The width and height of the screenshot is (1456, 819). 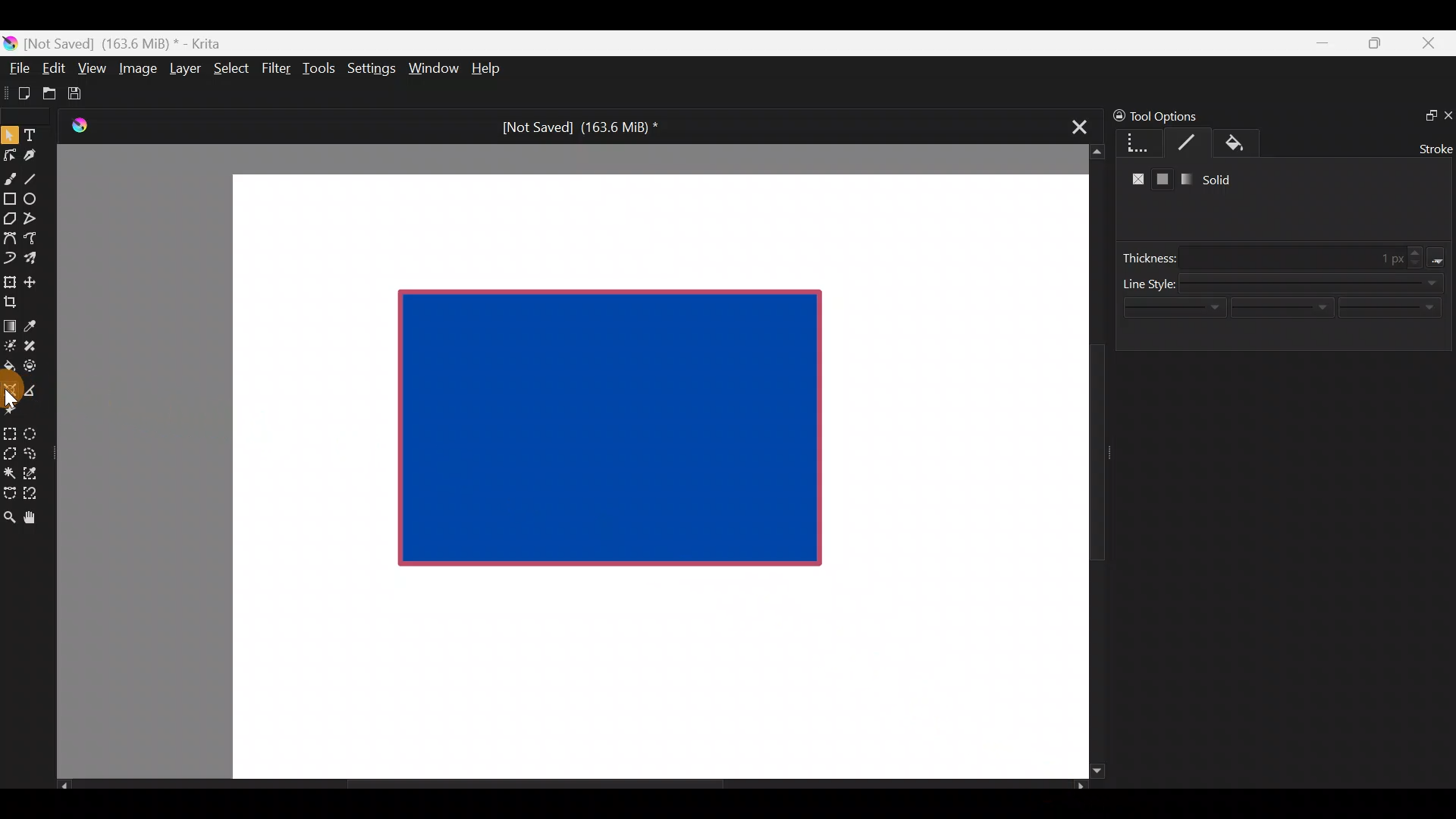 I want to click on Transform a layer/selection, so click(x=9, y=279).